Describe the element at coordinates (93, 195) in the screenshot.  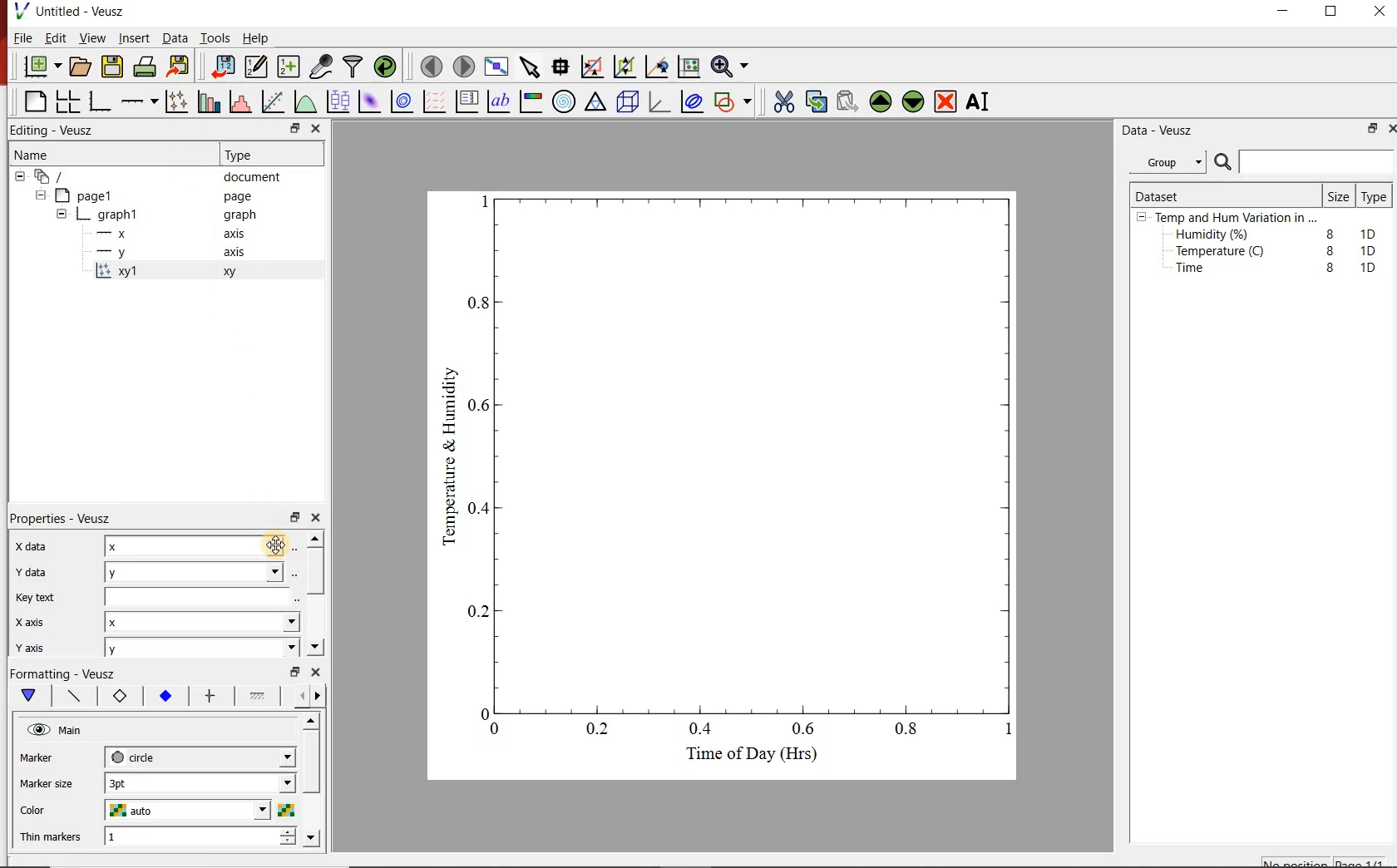
I see `page1` at that location.